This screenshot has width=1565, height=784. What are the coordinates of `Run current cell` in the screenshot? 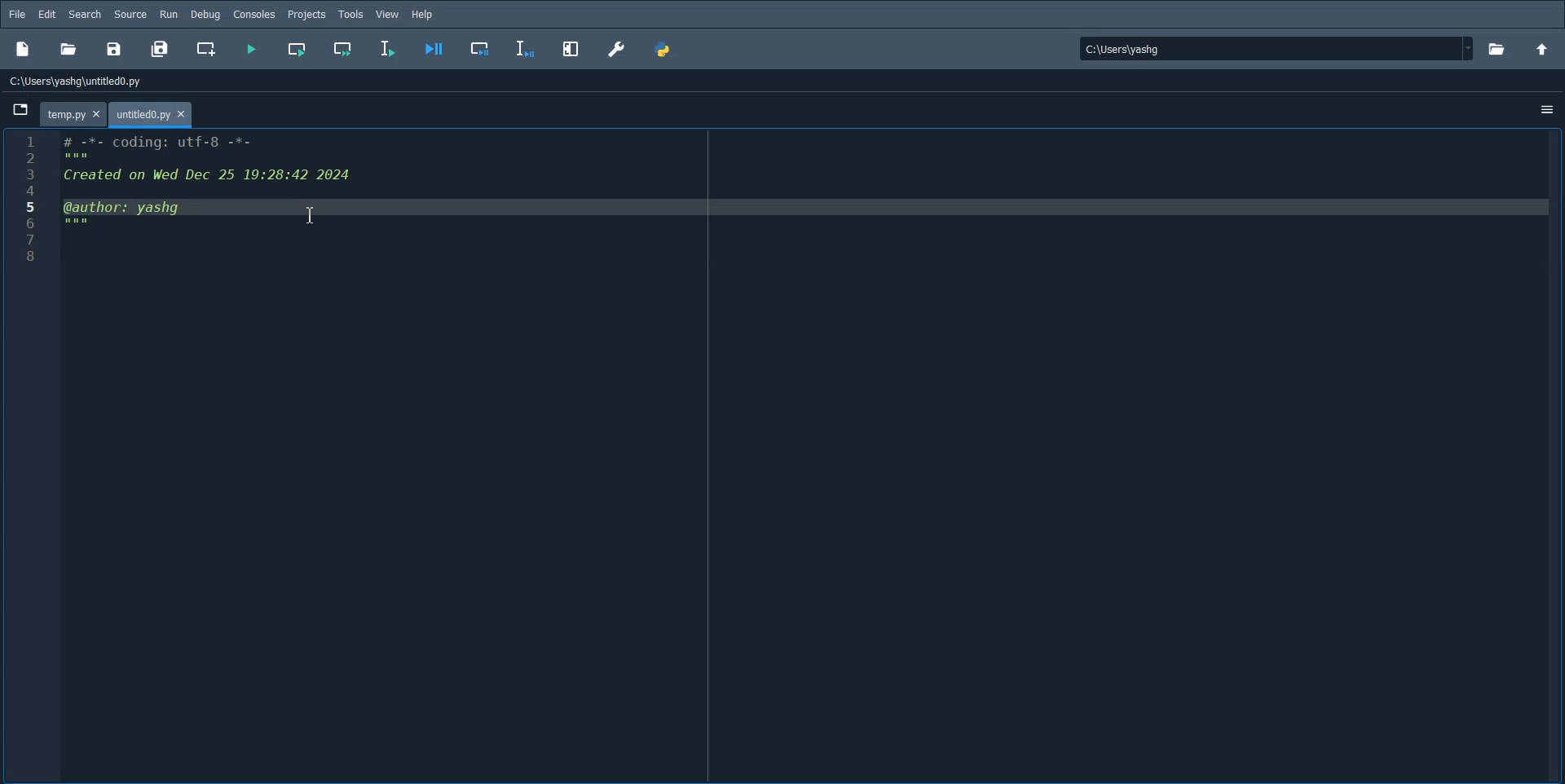 It's located at (345, 51).